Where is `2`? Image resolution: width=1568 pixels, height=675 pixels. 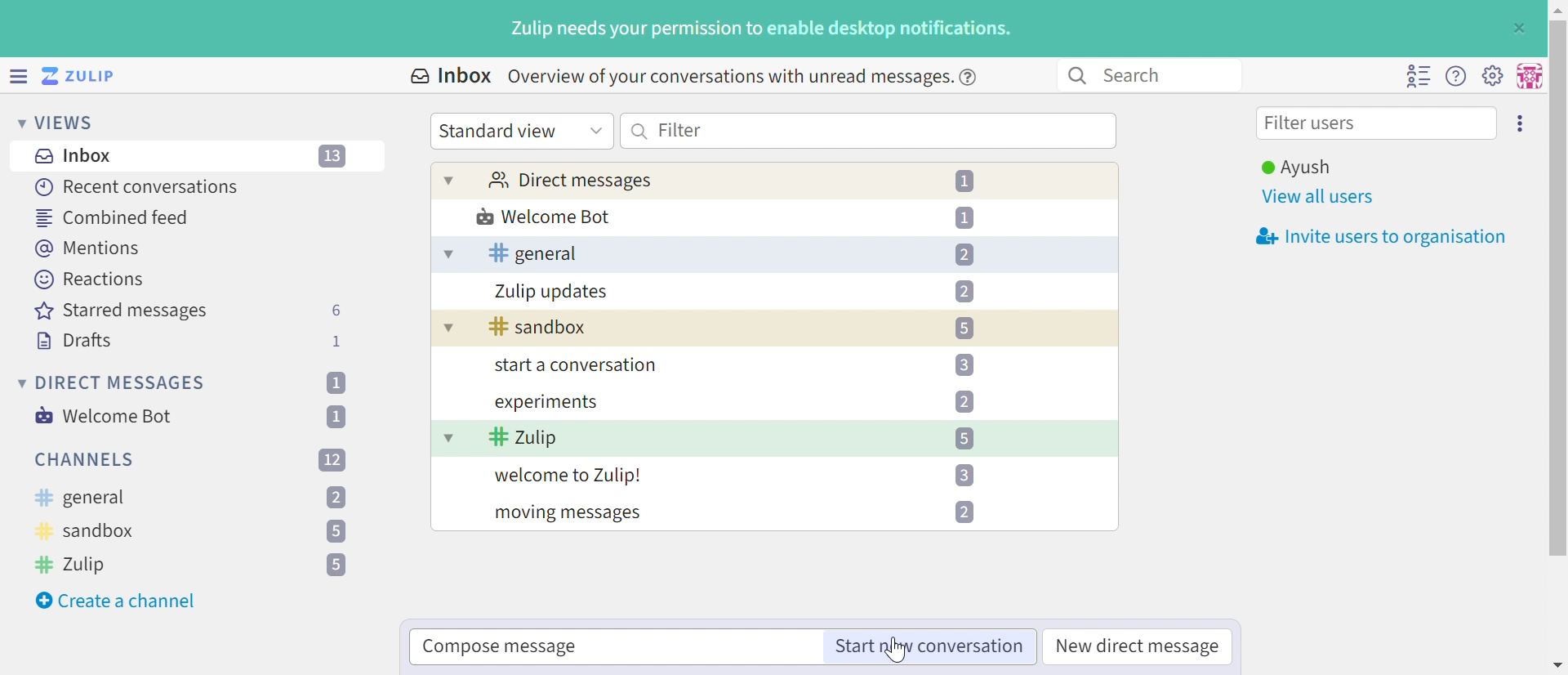 2 is located at coordinates (967, 512).